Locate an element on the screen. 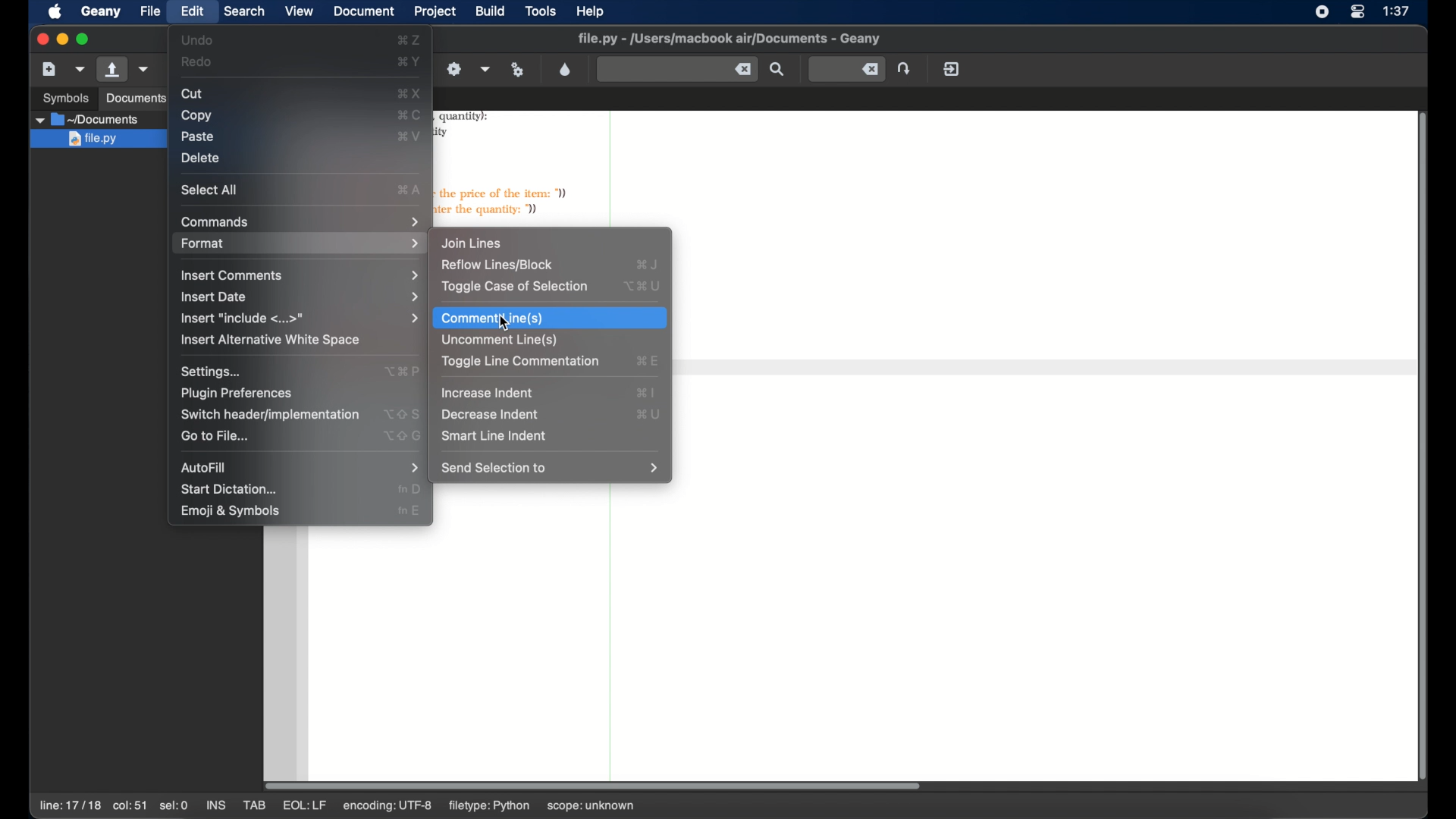 Image resolution: width=1456 pixels, height=819 pixels. sel:0 is located at coordinates (174, 805).